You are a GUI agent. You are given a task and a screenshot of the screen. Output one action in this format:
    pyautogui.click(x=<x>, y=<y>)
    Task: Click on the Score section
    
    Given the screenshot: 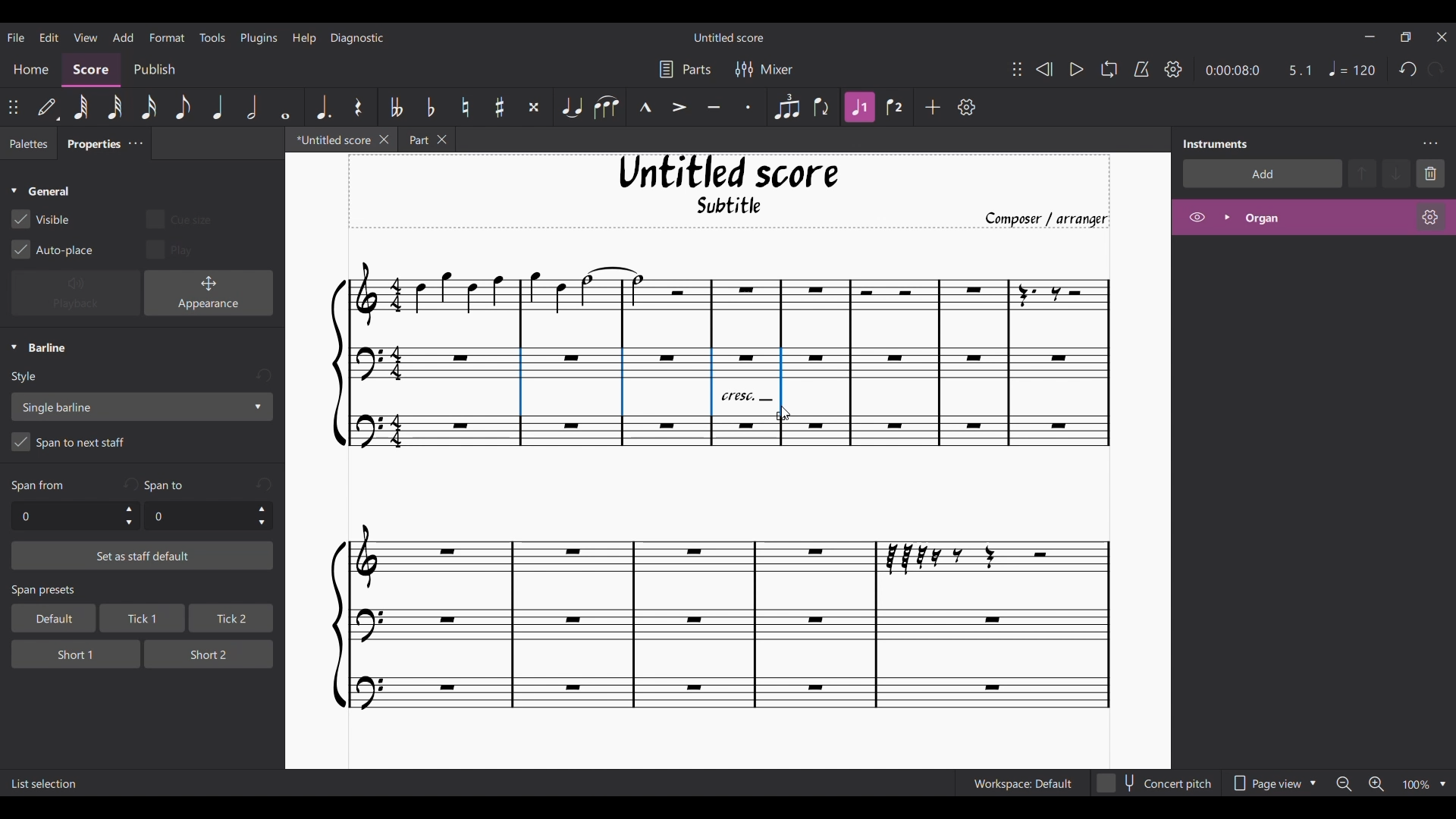 What is the action you would take?
    pyautogui.click(x=91, y=68)
    